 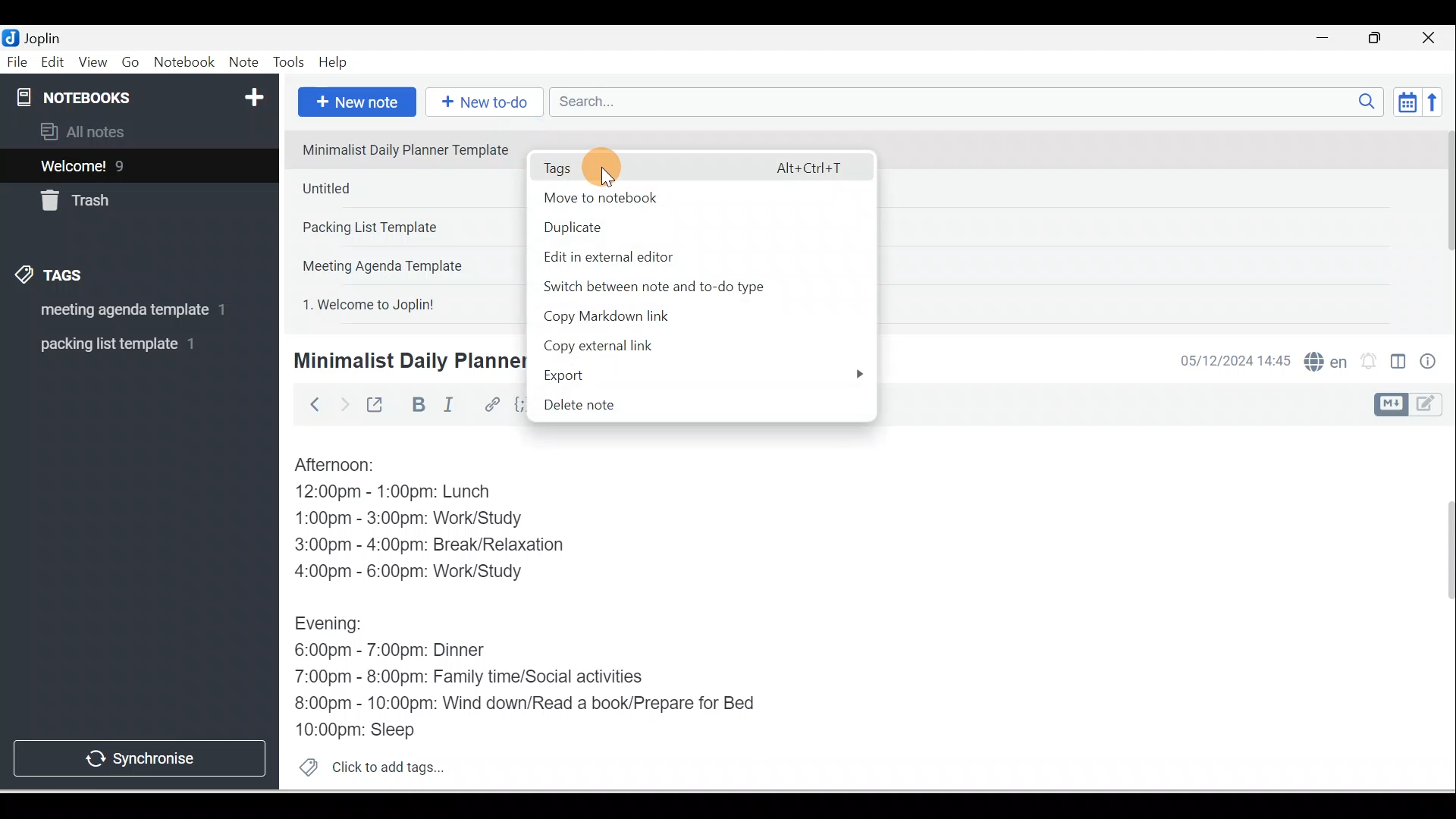 What do you see at coordinates (1323, 359) in the screenshot?
I see `Spelling` at bounding box center [1323, 359].